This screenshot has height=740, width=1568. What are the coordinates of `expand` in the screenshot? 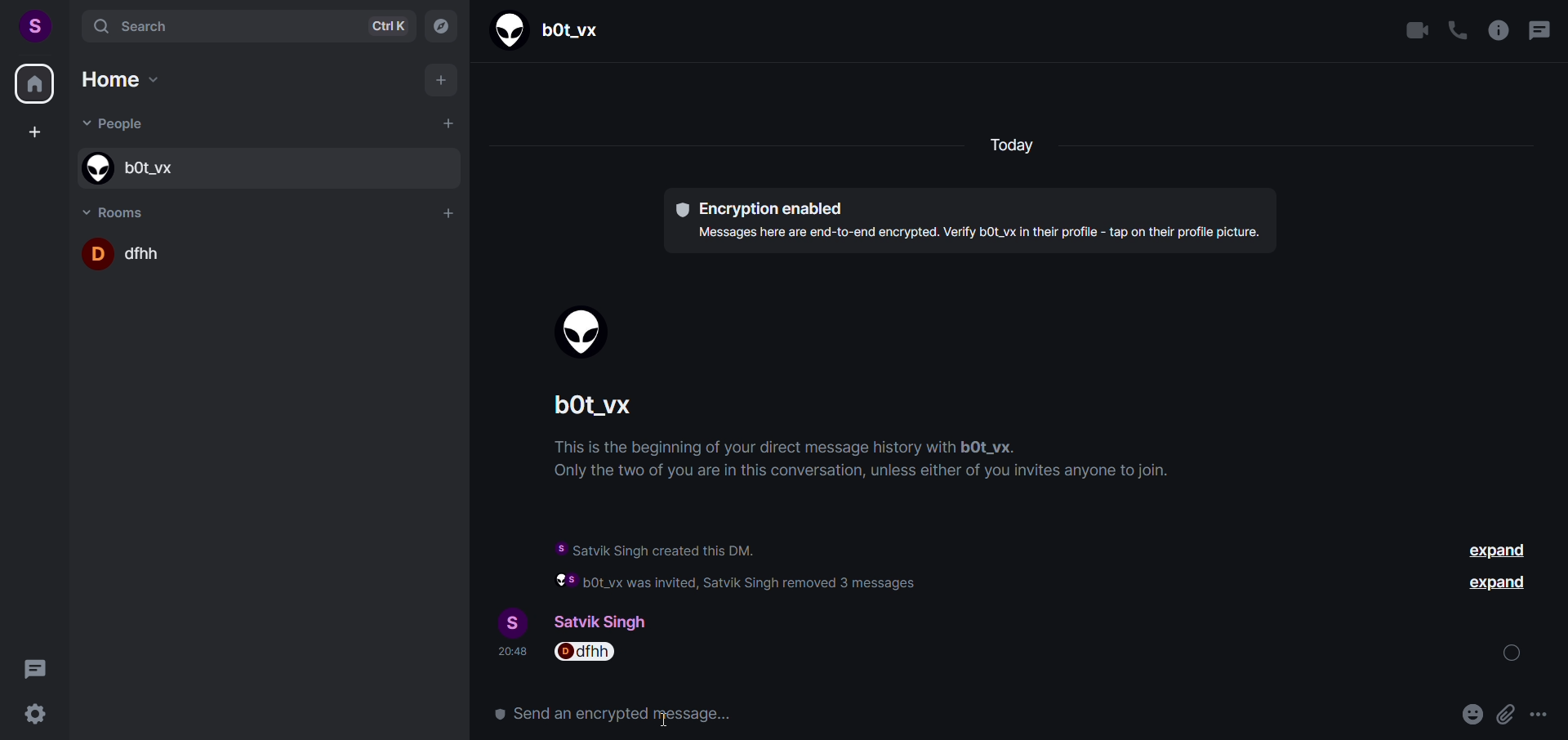 It's located at (1499, 552).